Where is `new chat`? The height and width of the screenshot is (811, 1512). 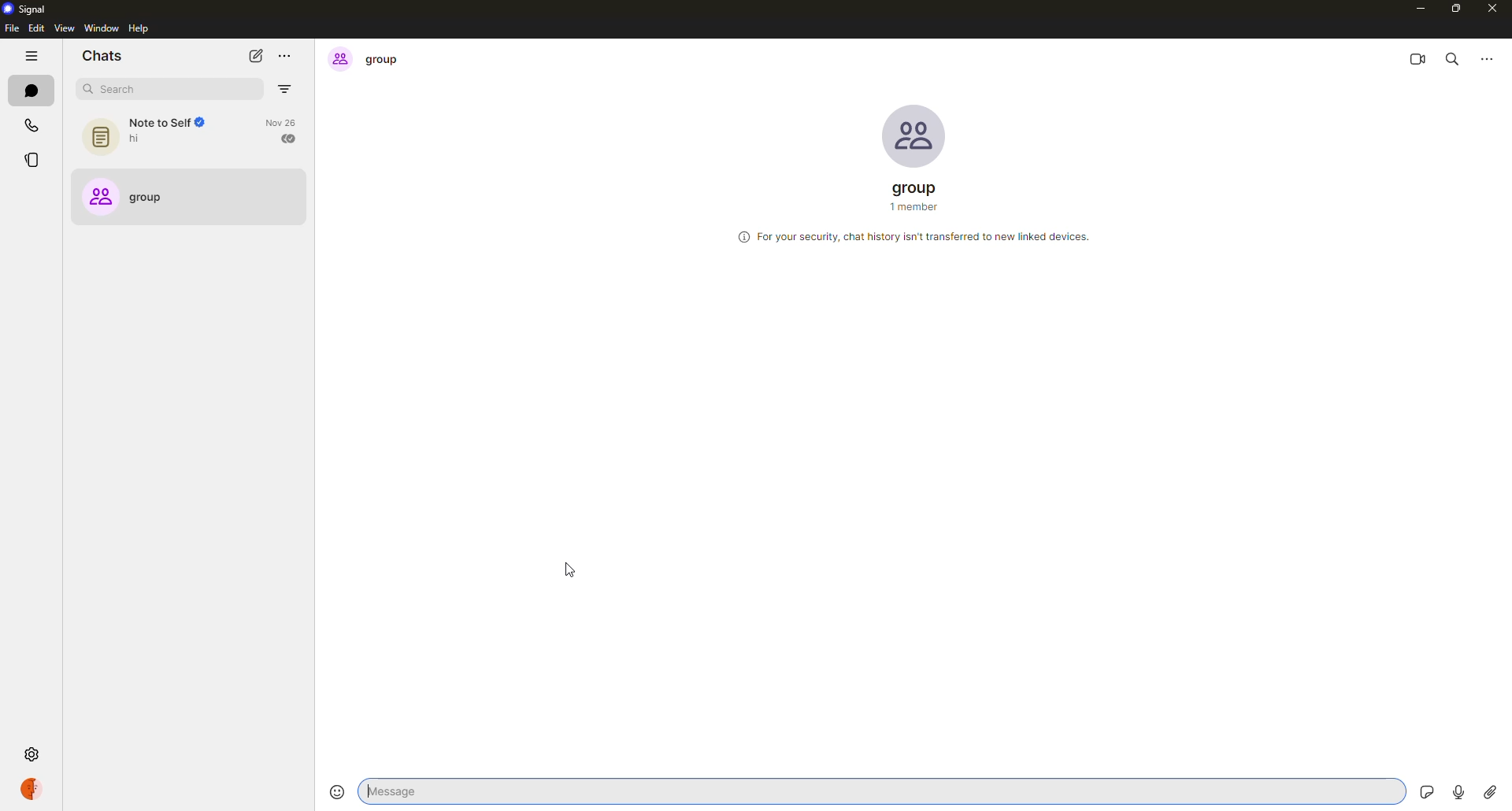
new chat is located at coordinates (255, 56).